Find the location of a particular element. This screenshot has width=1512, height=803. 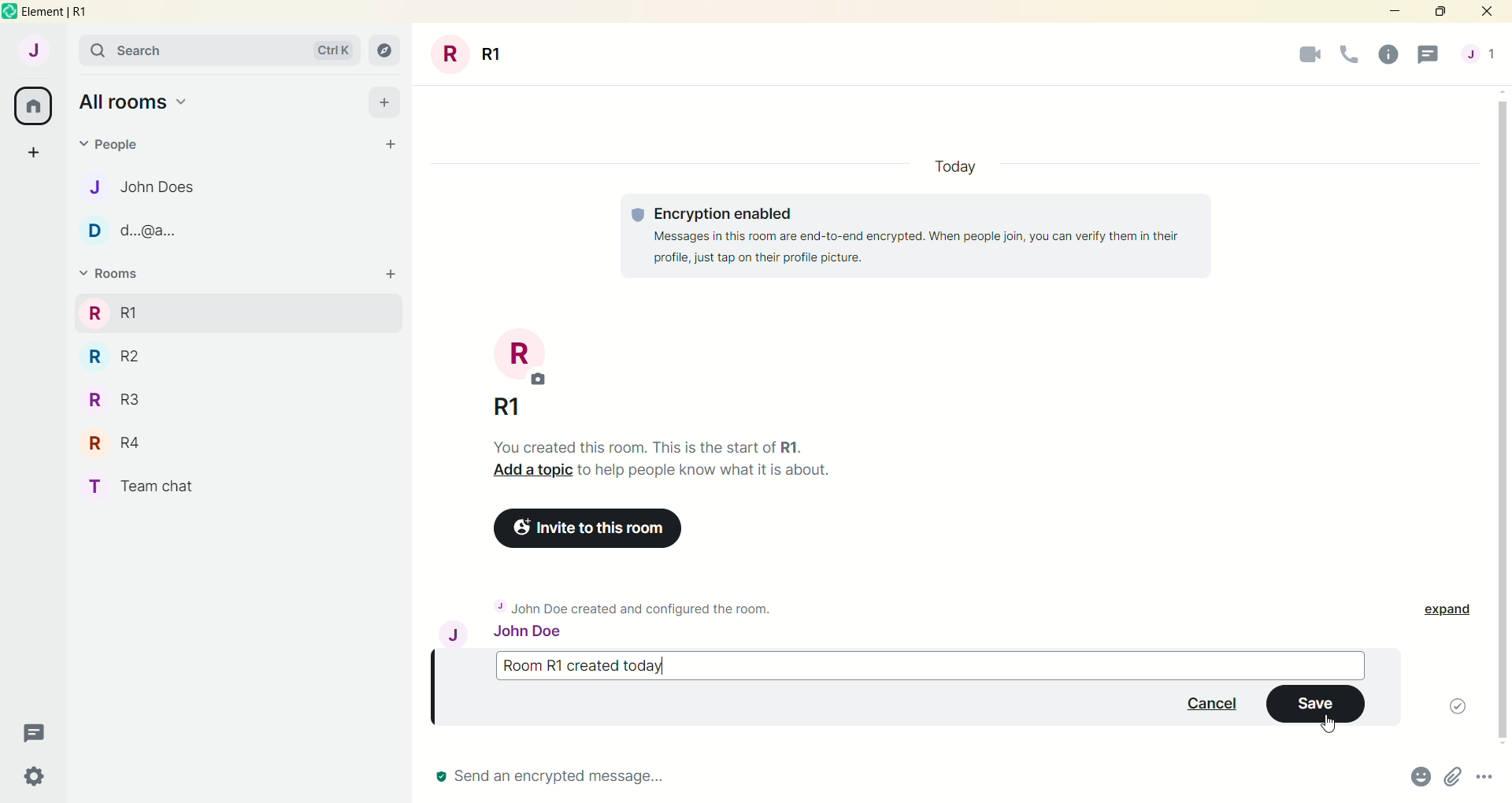

room title is located at coordinates (469, 54).